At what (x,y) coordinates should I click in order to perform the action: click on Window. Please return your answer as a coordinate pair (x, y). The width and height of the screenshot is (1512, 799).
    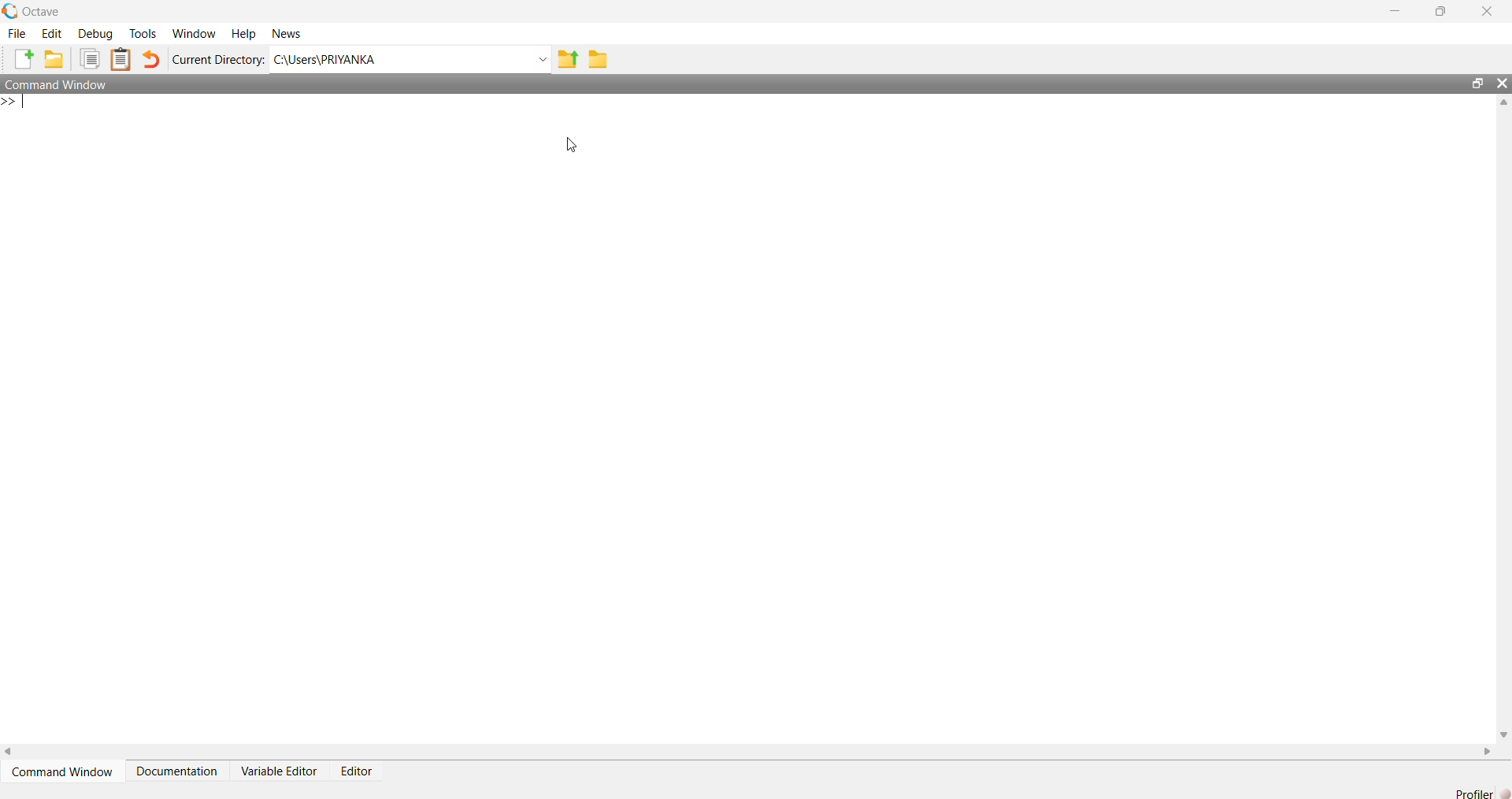
    Looking at the image, I should click on (193, 32).